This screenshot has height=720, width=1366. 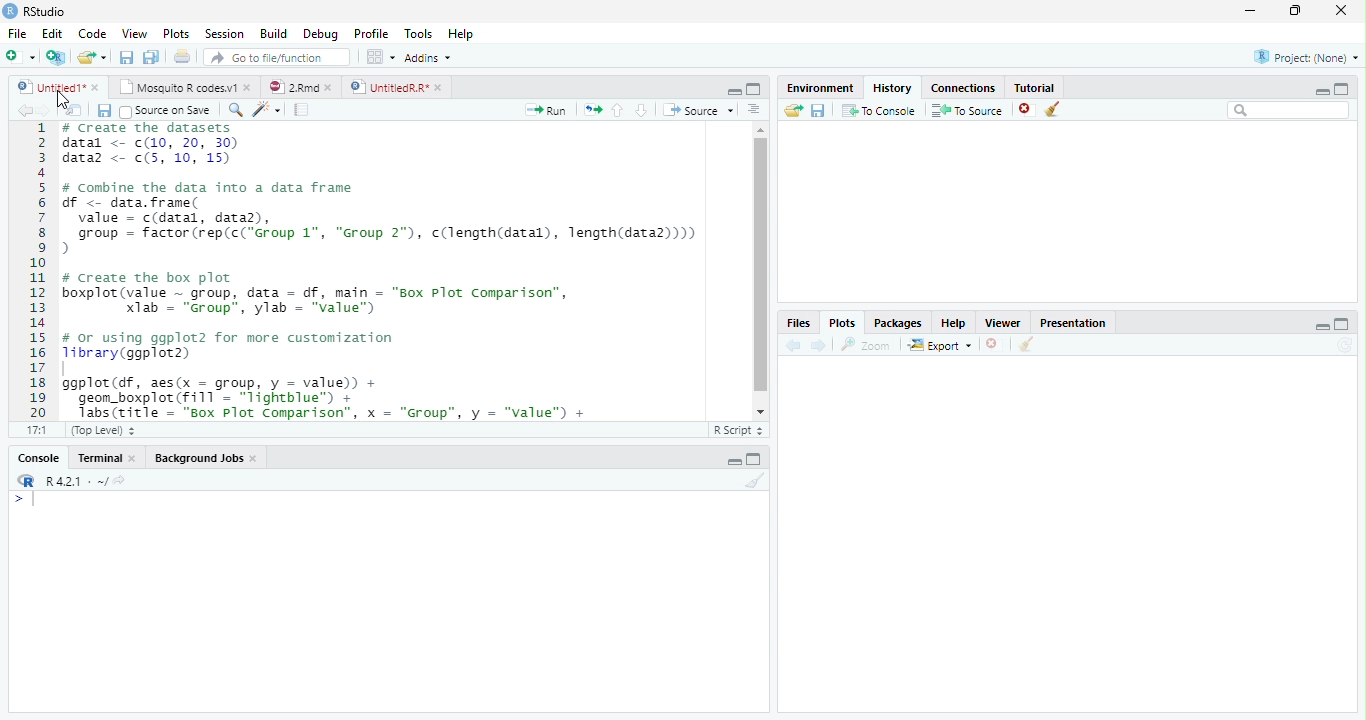 I want to click on Environment, so click(x=821, y=88).